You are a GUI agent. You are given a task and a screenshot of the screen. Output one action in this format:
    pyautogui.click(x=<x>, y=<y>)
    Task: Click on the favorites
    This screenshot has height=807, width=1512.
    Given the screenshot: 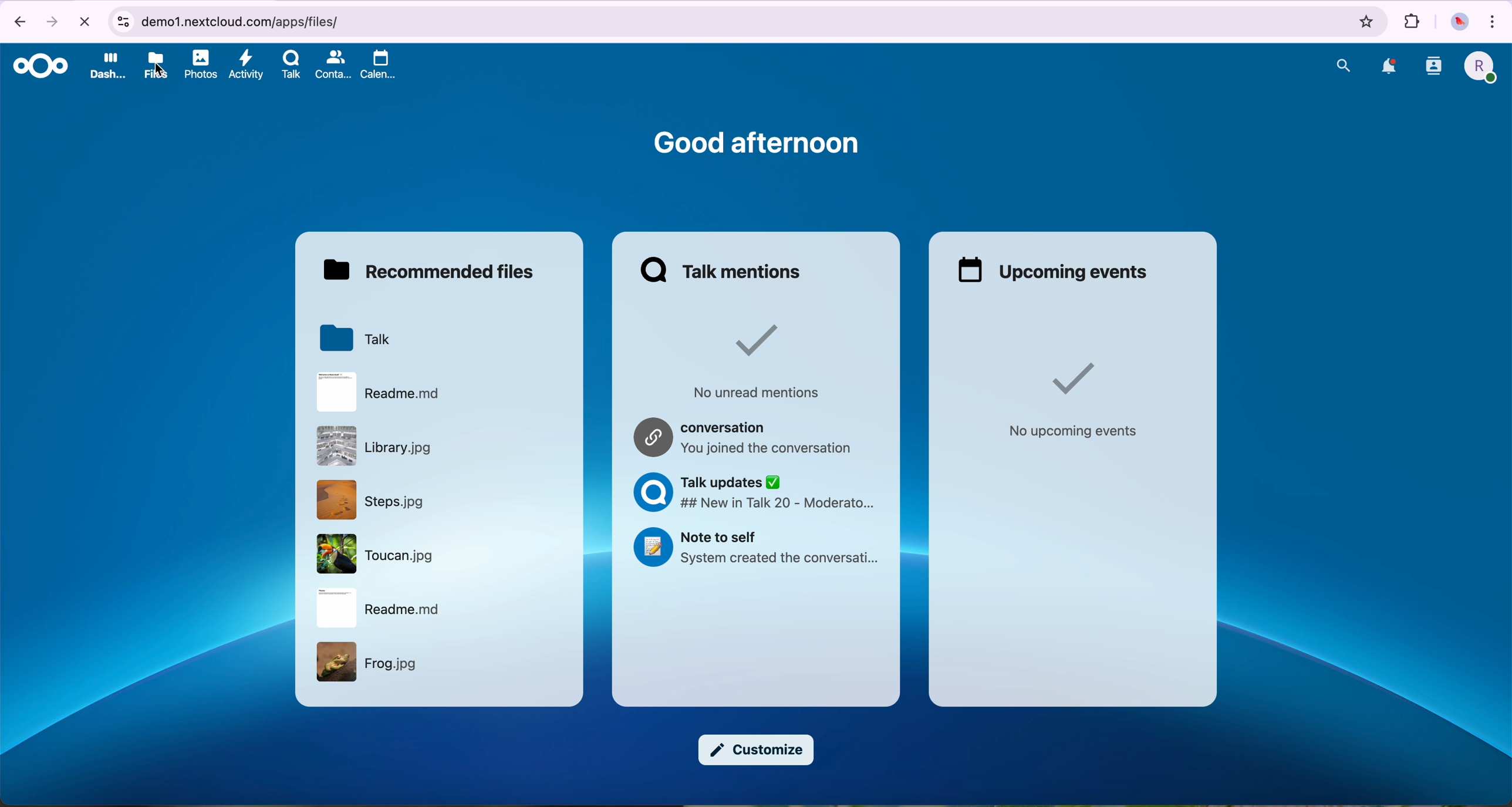 What is the action you would take?
    pyautogui.click(x=1368, y=22)
    